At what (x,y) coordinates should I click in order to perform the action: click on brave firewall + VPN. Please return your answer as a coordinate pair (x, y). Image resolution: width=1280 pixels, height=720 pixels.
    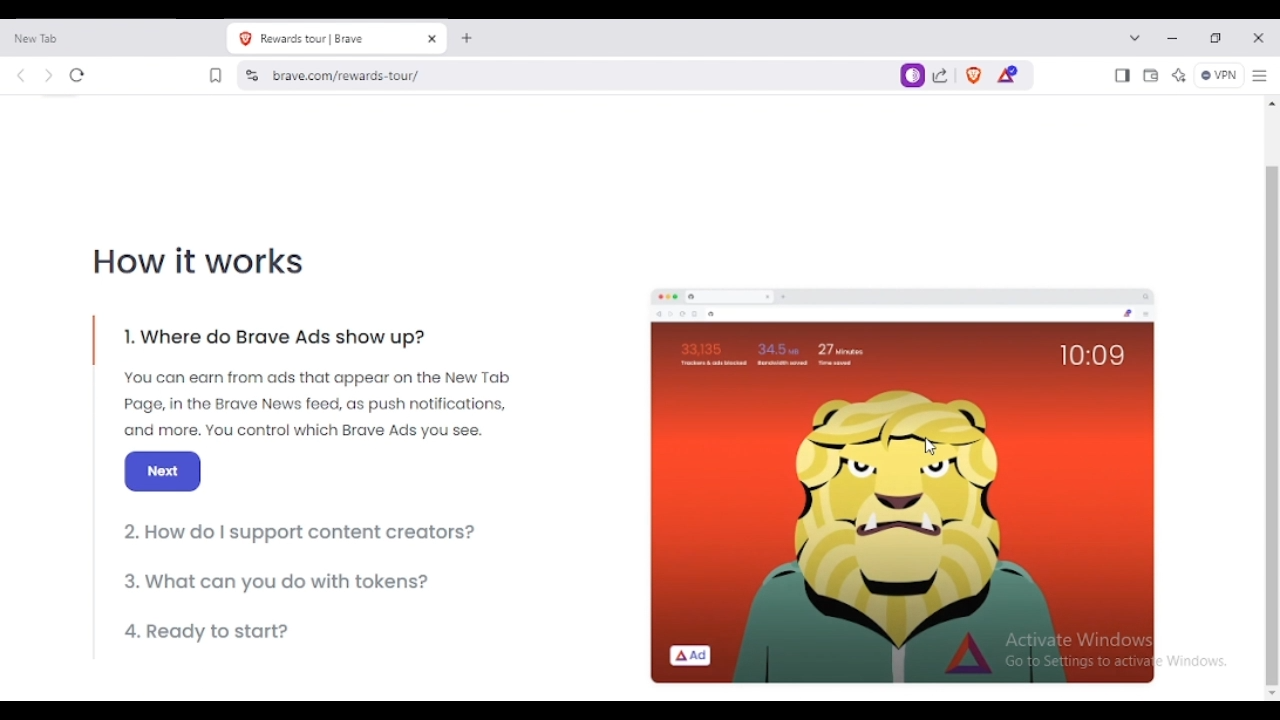
    Looking at the image, I should click on (1218, 75).